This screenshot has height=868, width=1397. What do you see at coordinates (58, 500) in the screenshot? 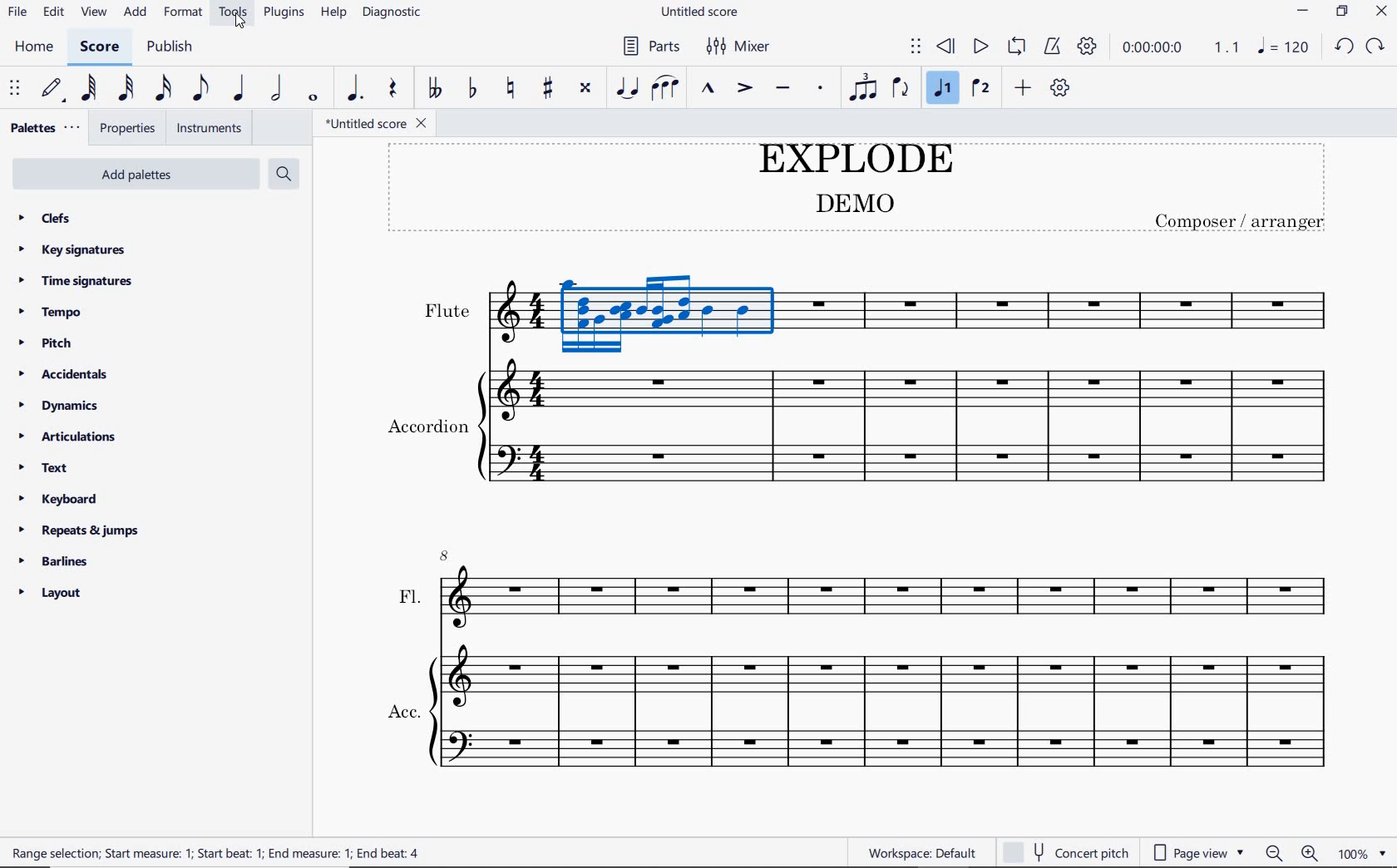
I see `keyboard` at bounding box center [58, 500].